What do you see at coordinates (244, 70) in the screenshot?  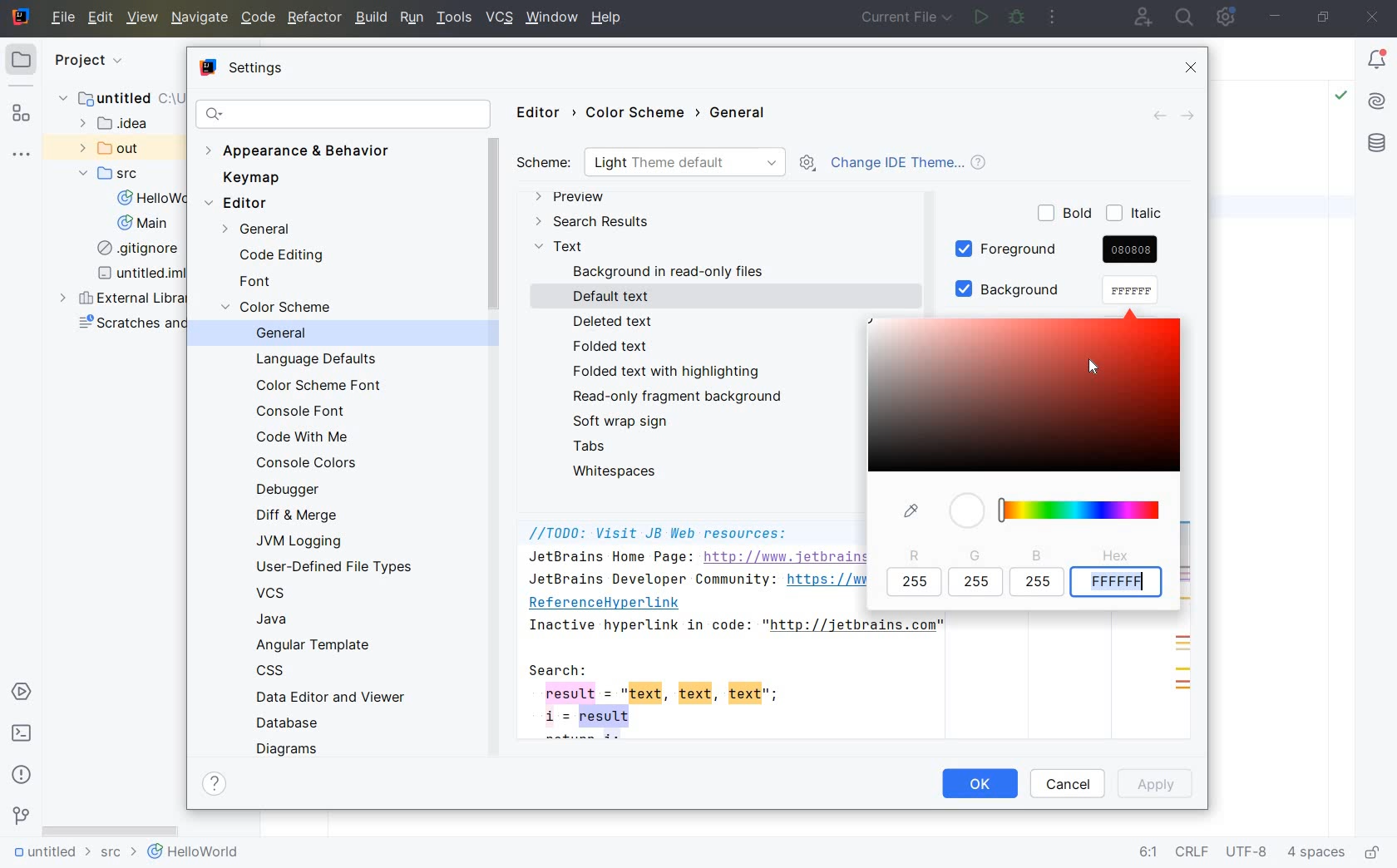 I see `SETTINGS` at bounding box center [244, 70].